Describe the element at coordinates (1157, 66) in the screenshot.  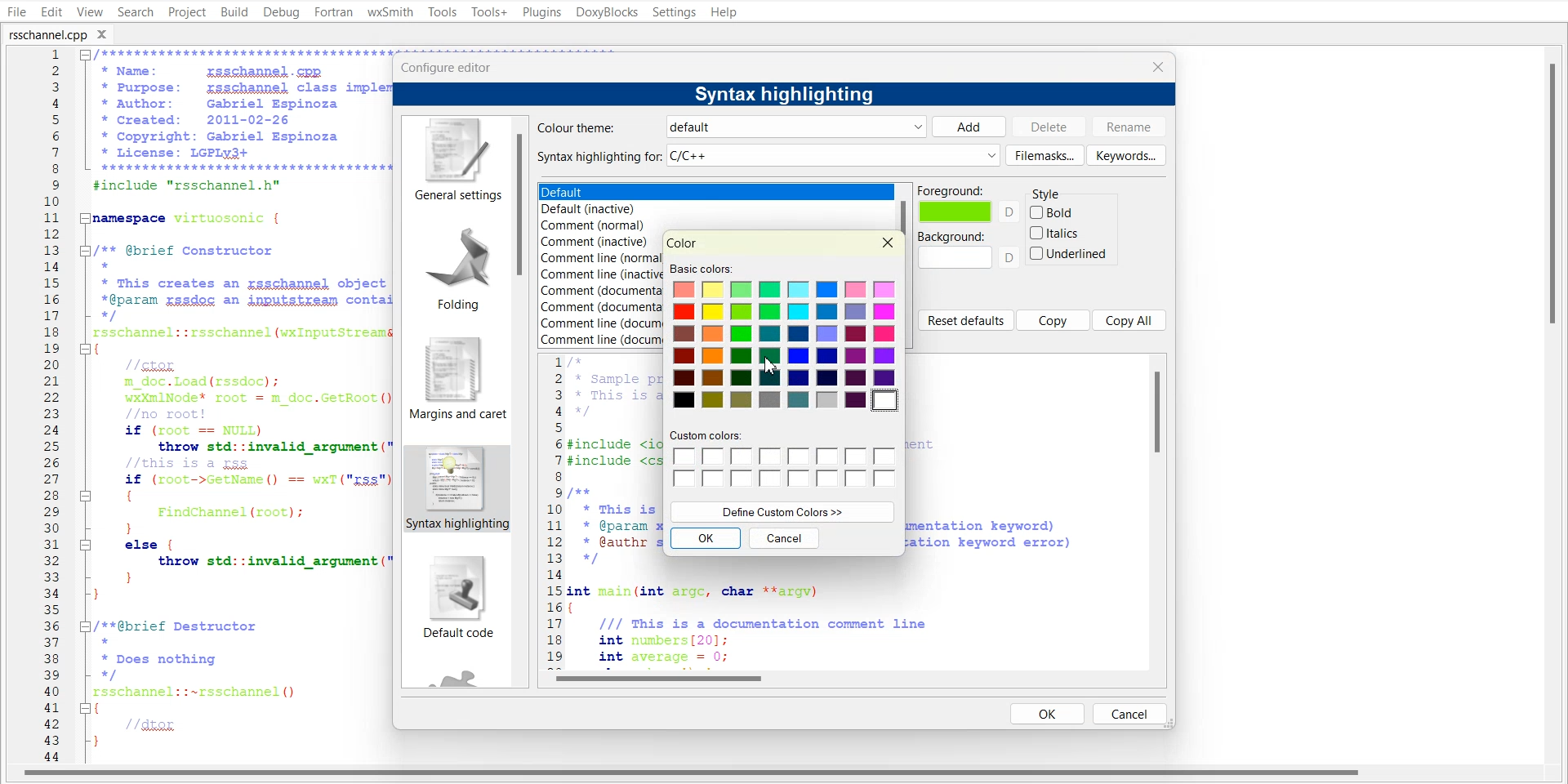
I see `Close` at that location.